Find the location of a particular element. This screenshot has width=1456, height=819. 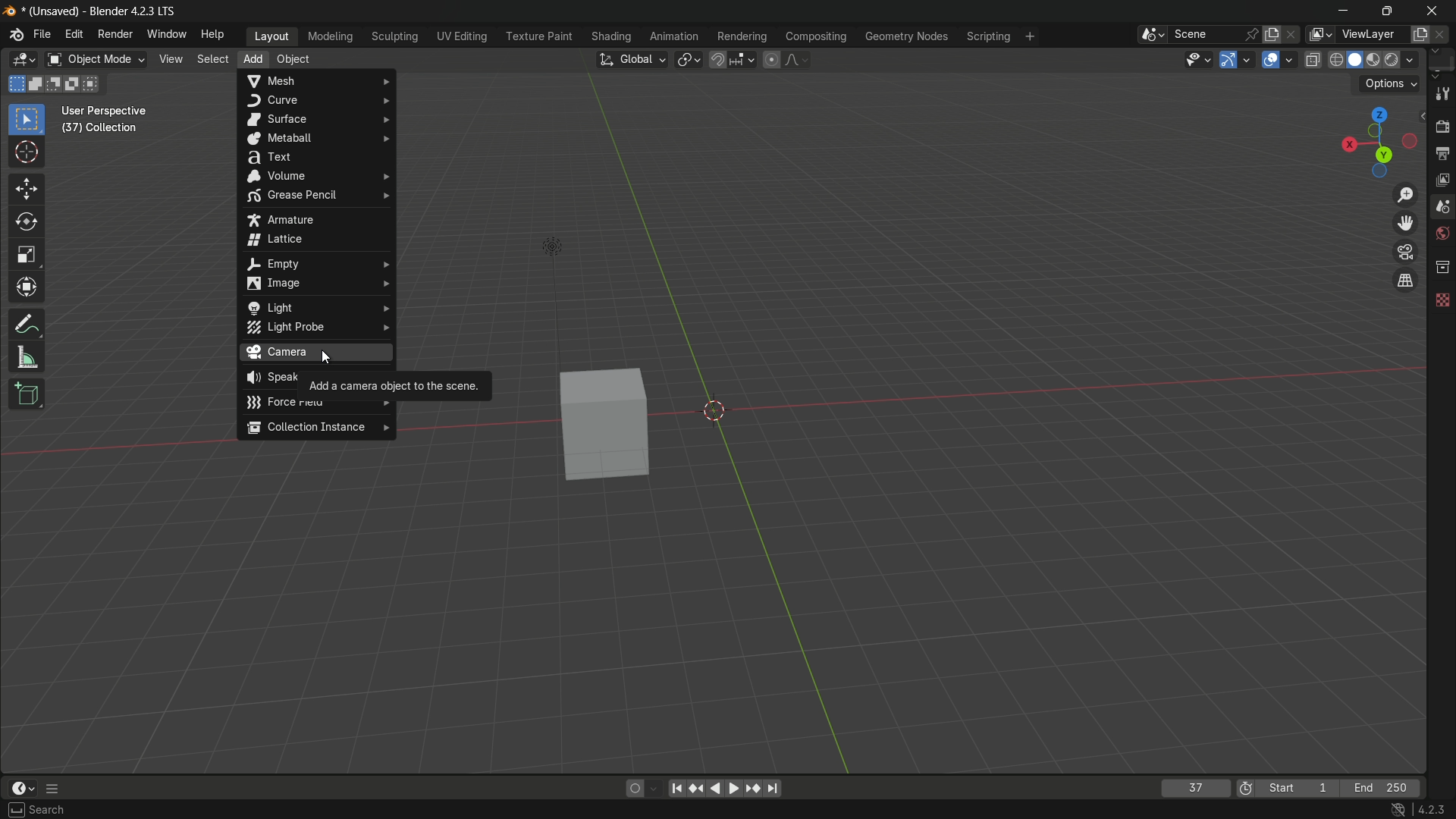

start new selection is located at coordinates (16, 83).